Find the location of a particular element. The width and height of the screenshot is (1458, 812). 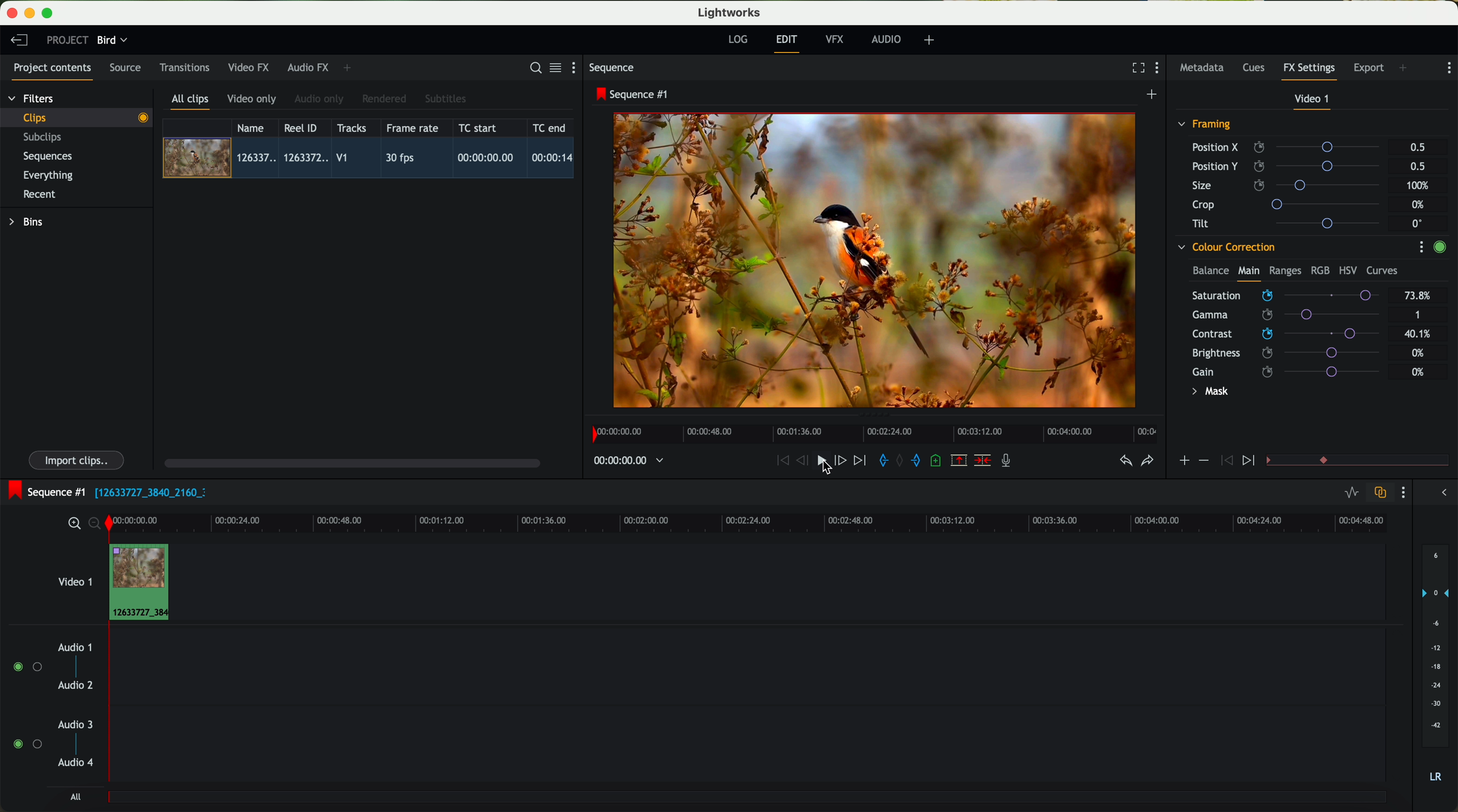

recent is located at coordinates (40, 196).